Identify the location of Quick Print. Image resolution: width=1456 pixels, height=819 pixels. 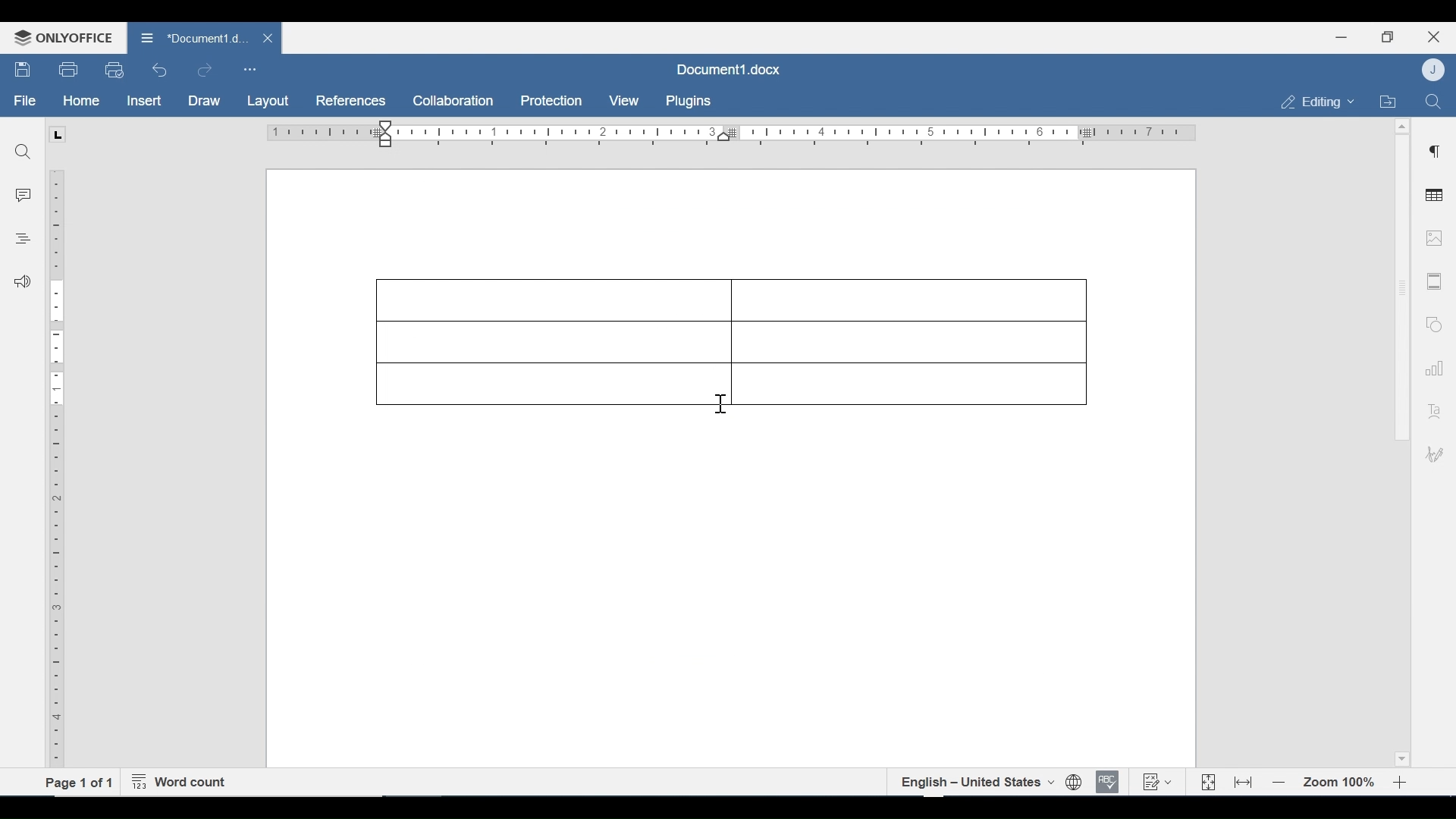
(113, 69).